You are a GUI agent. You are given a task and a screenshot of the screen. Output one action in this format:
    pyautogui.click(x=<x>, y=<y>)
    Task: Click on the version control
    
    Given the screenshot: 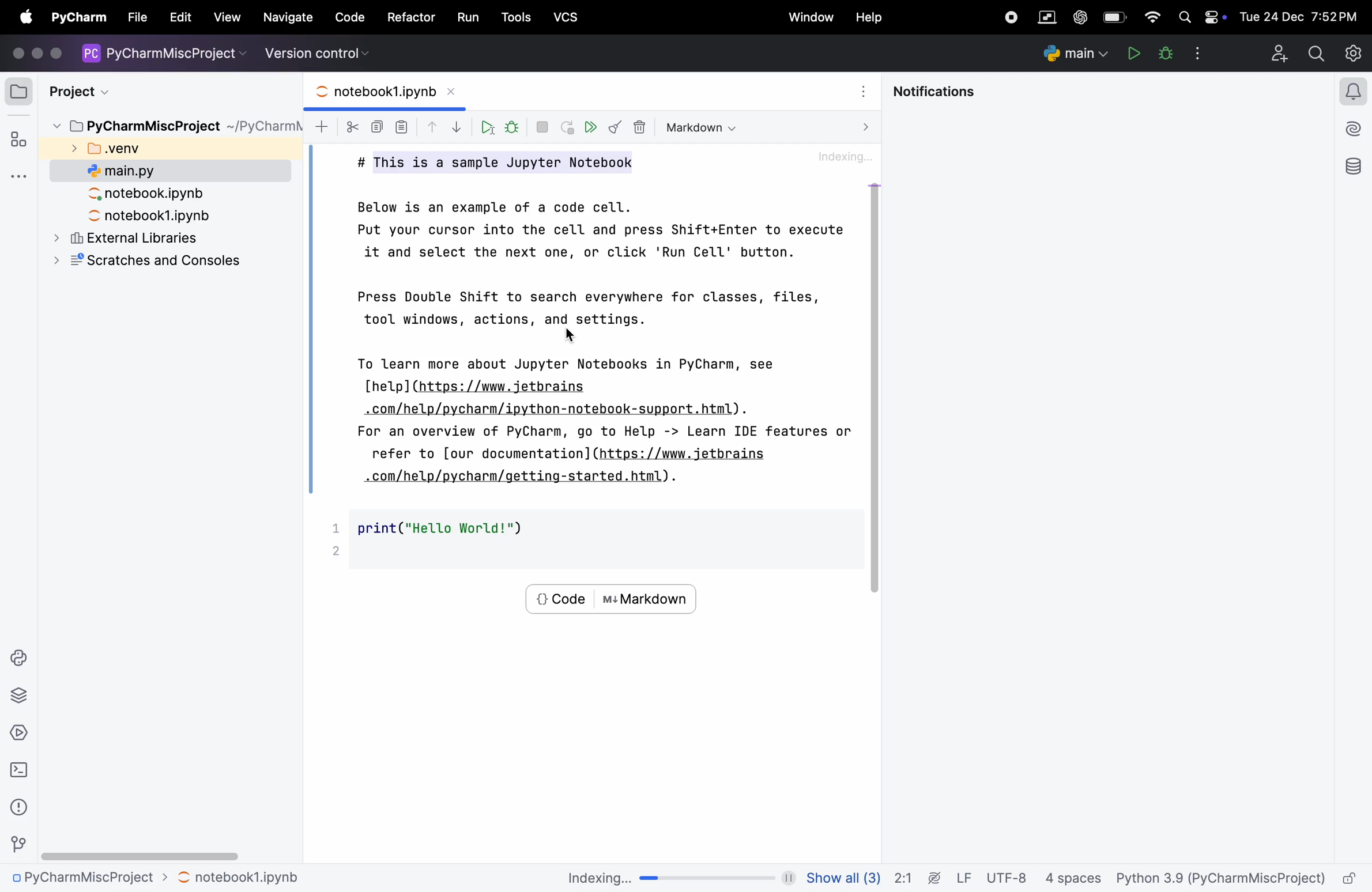 What is the action you would take?
    pyautogui.click(x=17, y=845)
    